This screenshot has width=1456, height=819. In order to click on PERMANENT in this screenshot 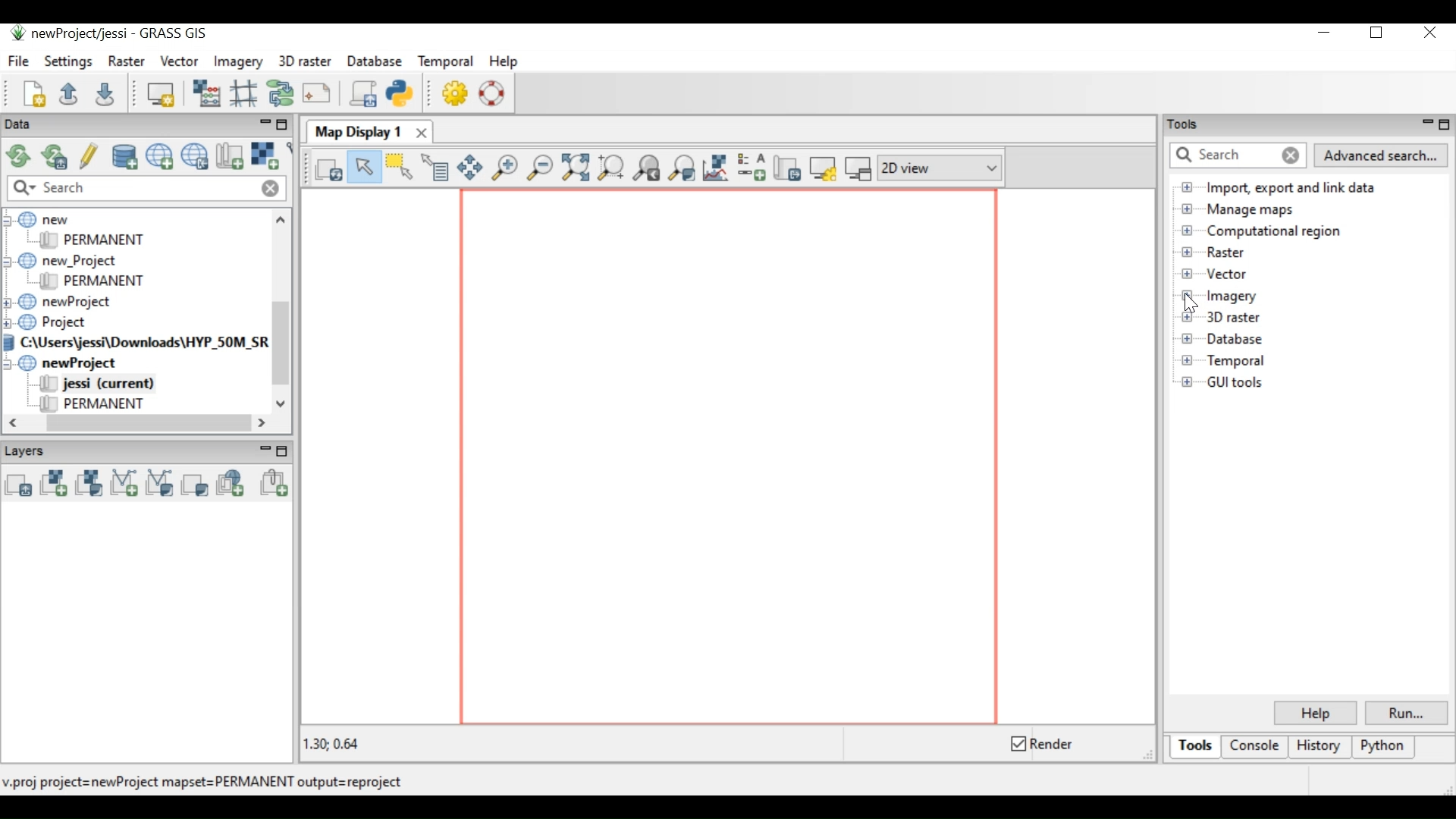, I will do `click(103, 405)`.